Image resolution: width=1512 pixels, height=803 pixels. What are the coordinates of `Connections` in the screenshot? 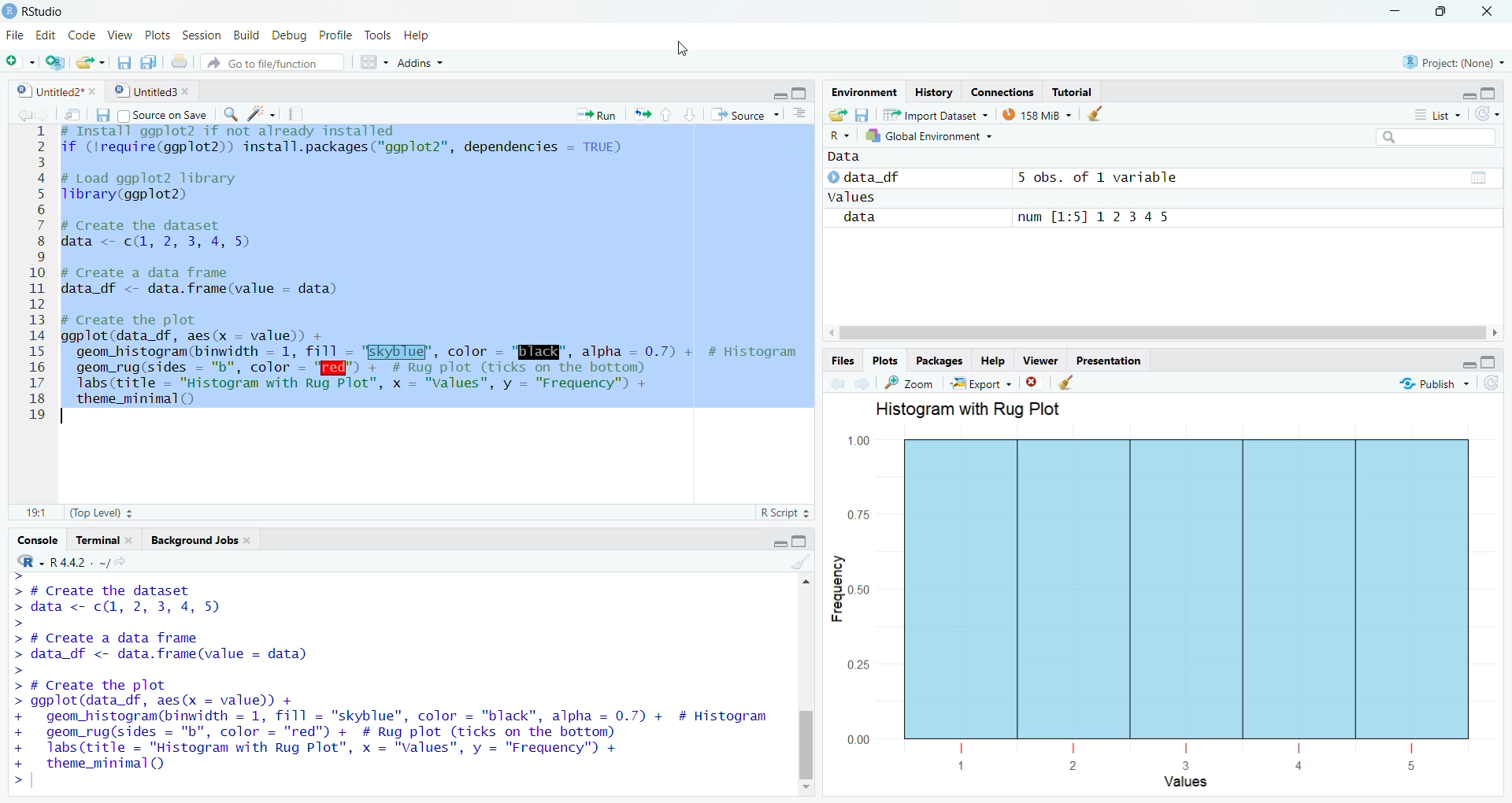 It's located at (999, 92).